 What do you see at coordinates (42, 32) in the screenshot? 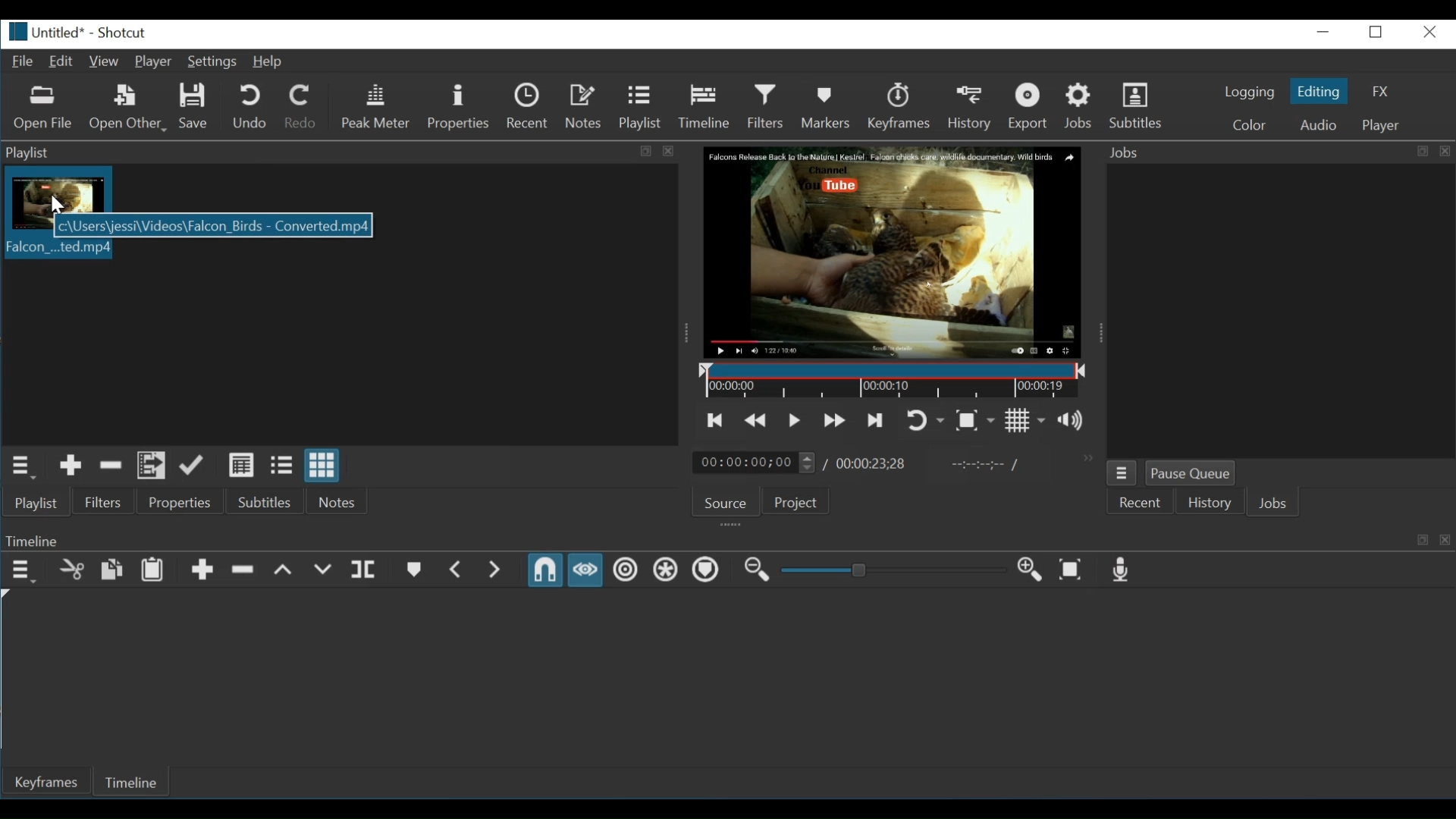
I see `File name` at bounding box center [42, 32].